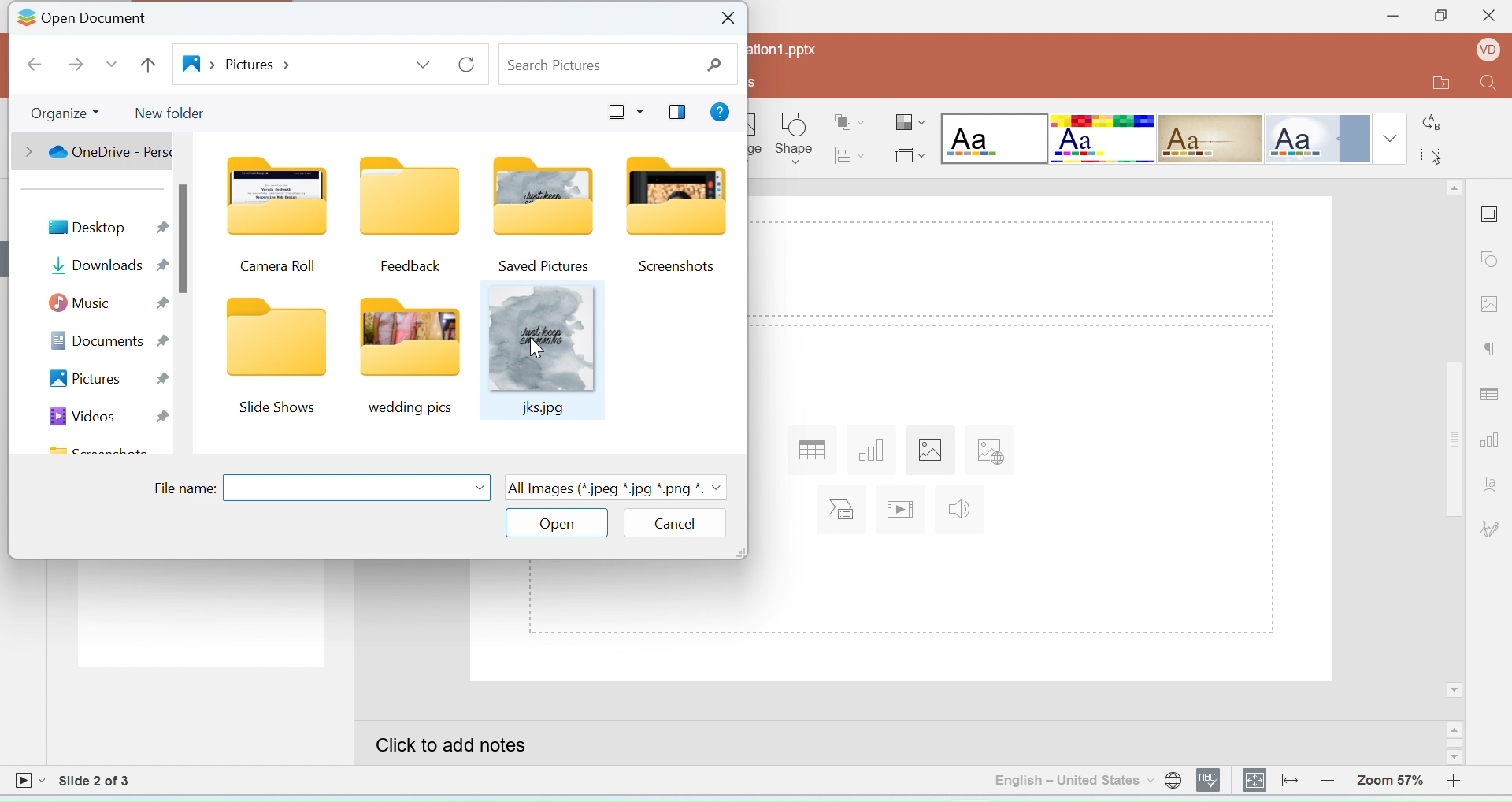  I want to click on Insert shape, so click(795, 139).